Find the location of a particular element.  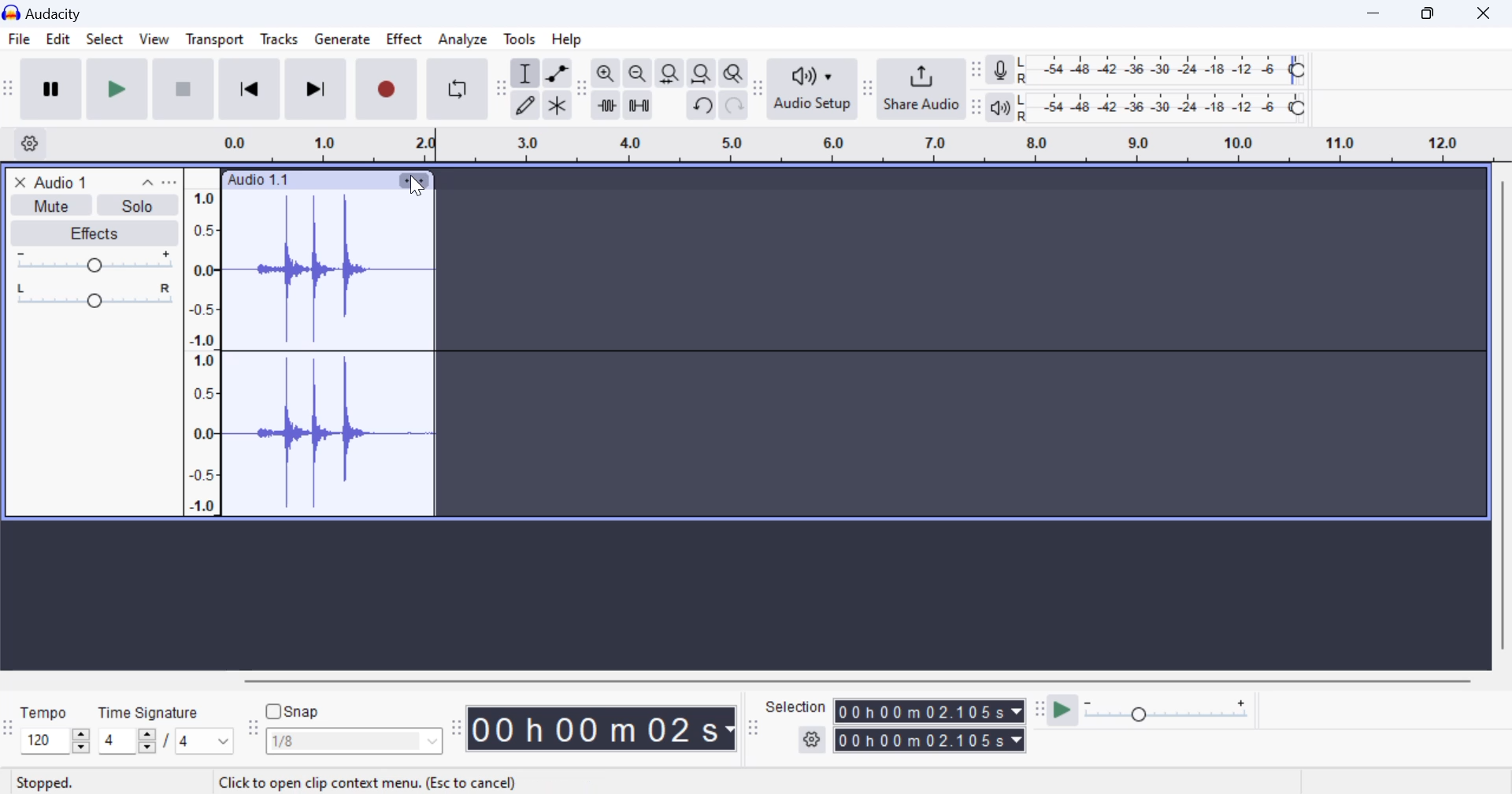

trim audio outside select is located at coordinates (607, 105).